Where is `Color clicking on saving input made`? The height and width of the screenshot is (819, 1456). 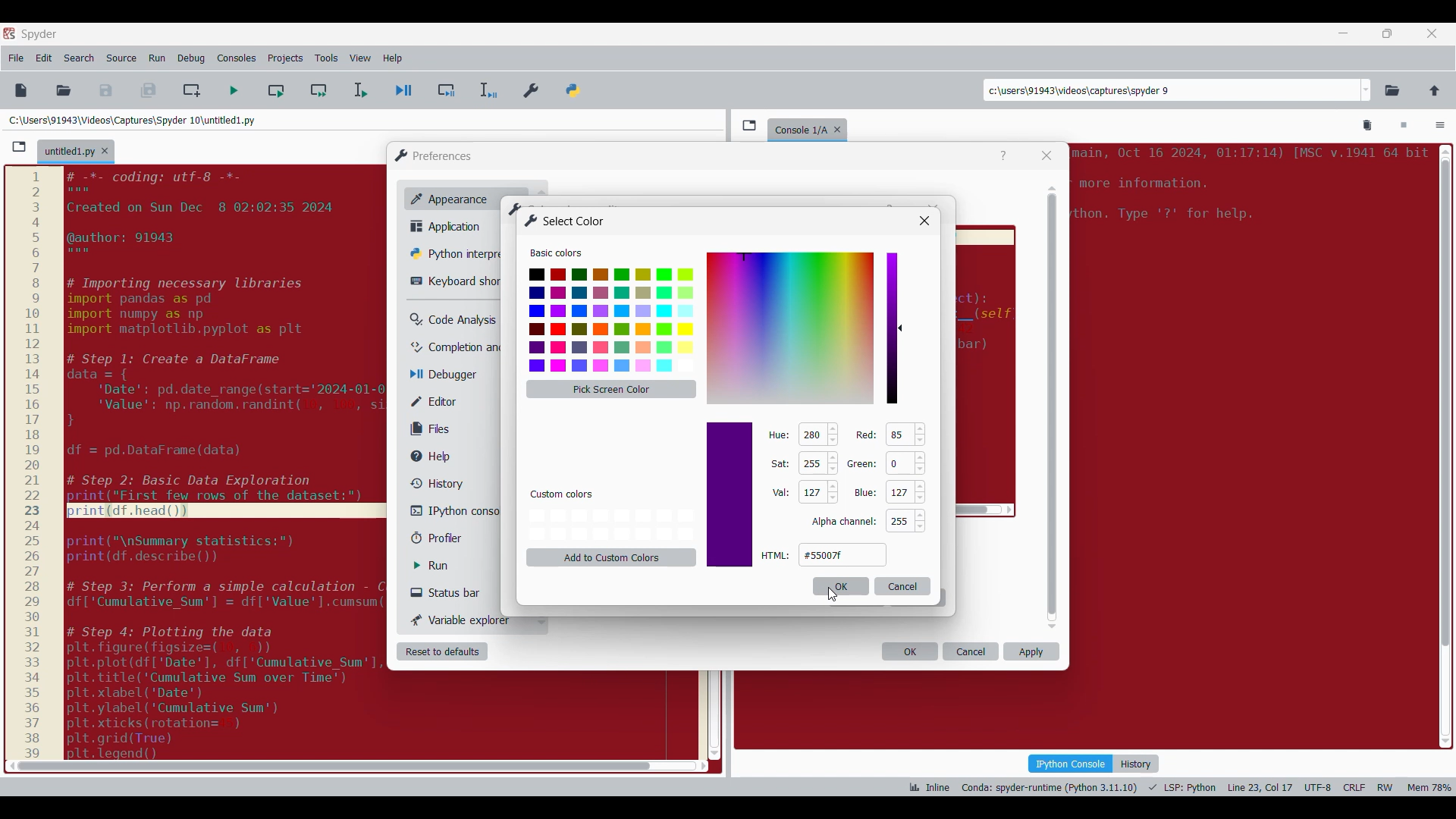
Color clicking on saving input made is located at coordinates (832, 595).